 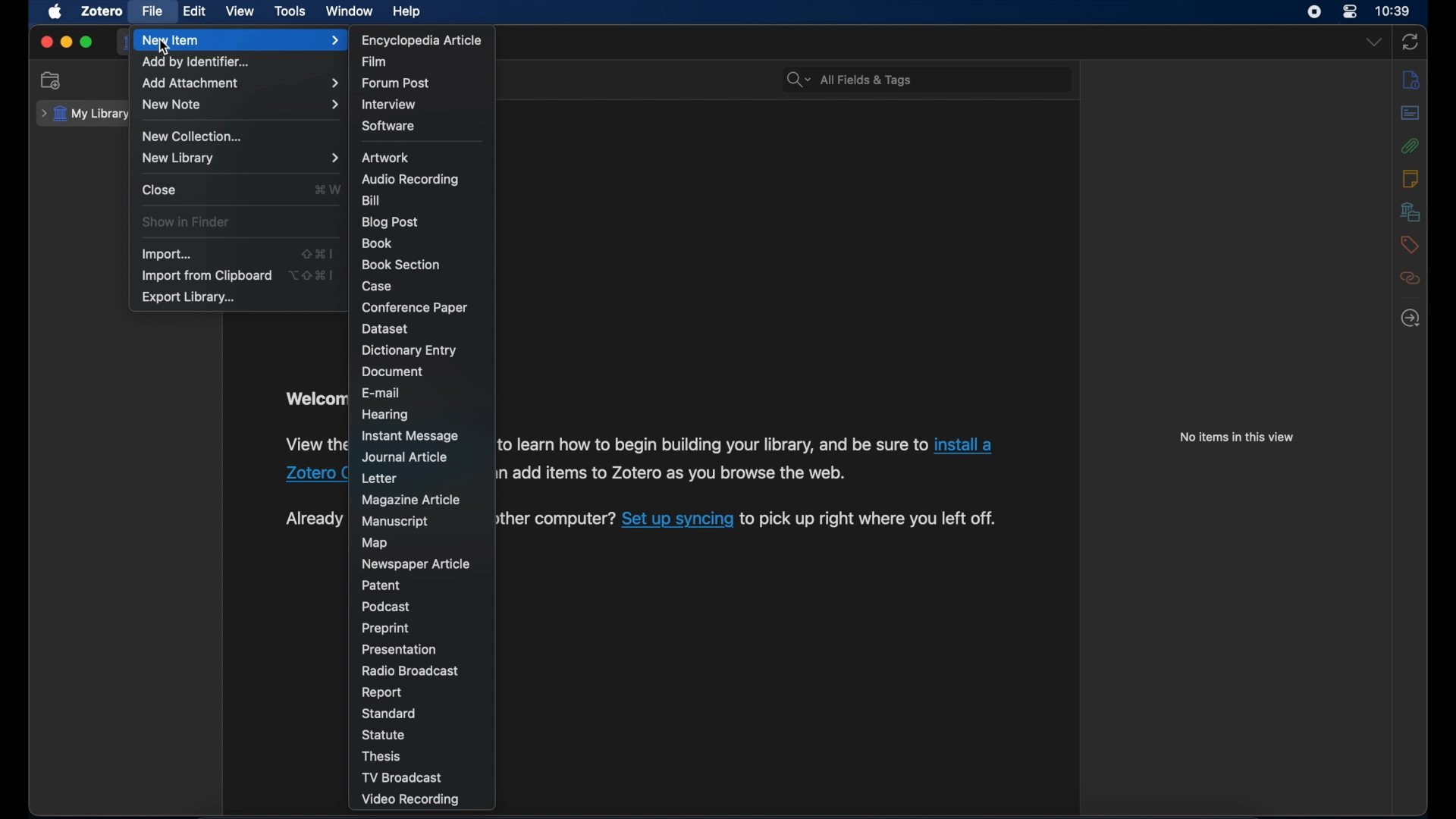 I want to click on letter, so click(x=379, y=478).